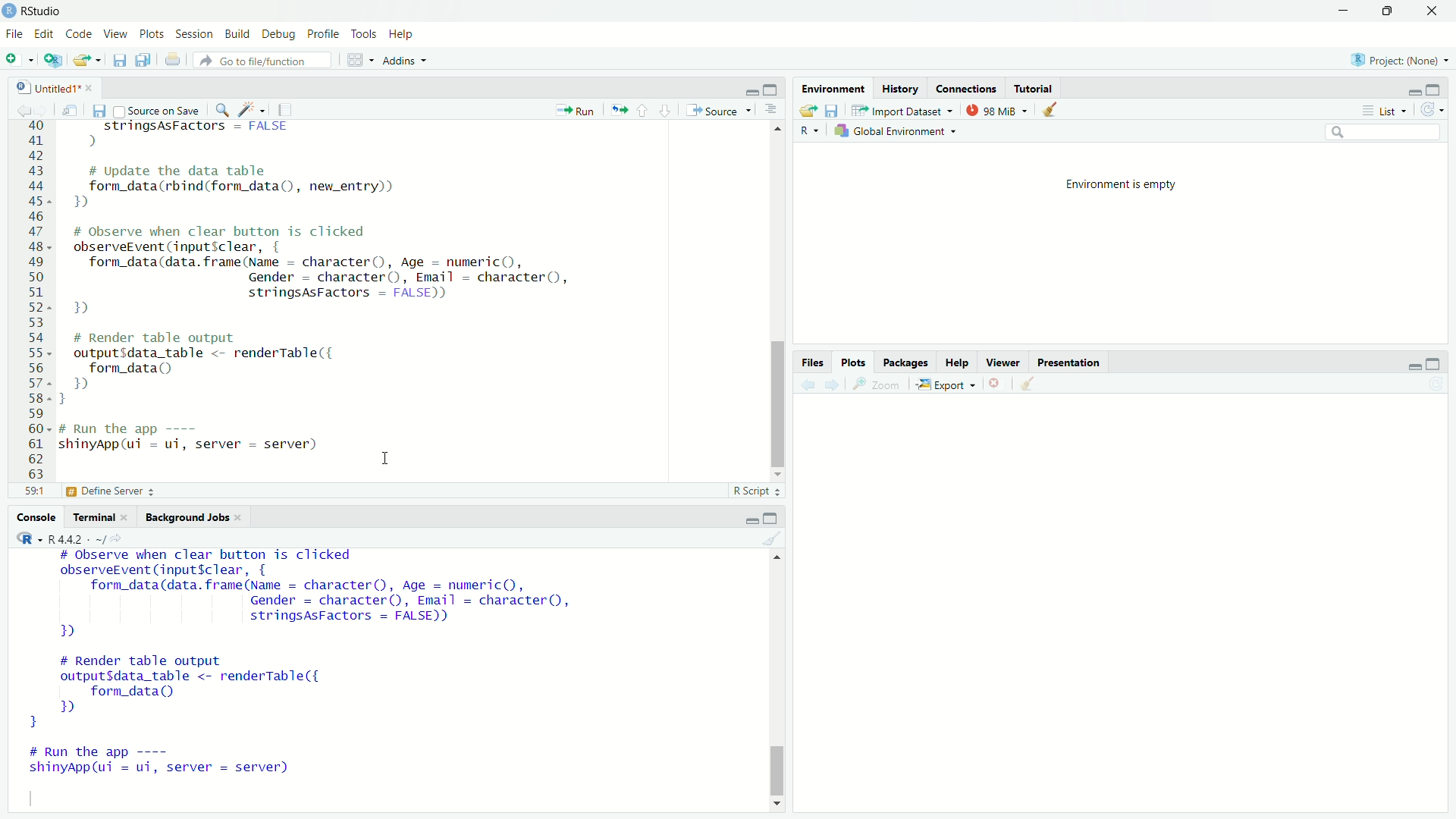  What do you see at coordinates (199, 438) in the screenshot?
I see `code to run the app` at bounding box center [199, 438].